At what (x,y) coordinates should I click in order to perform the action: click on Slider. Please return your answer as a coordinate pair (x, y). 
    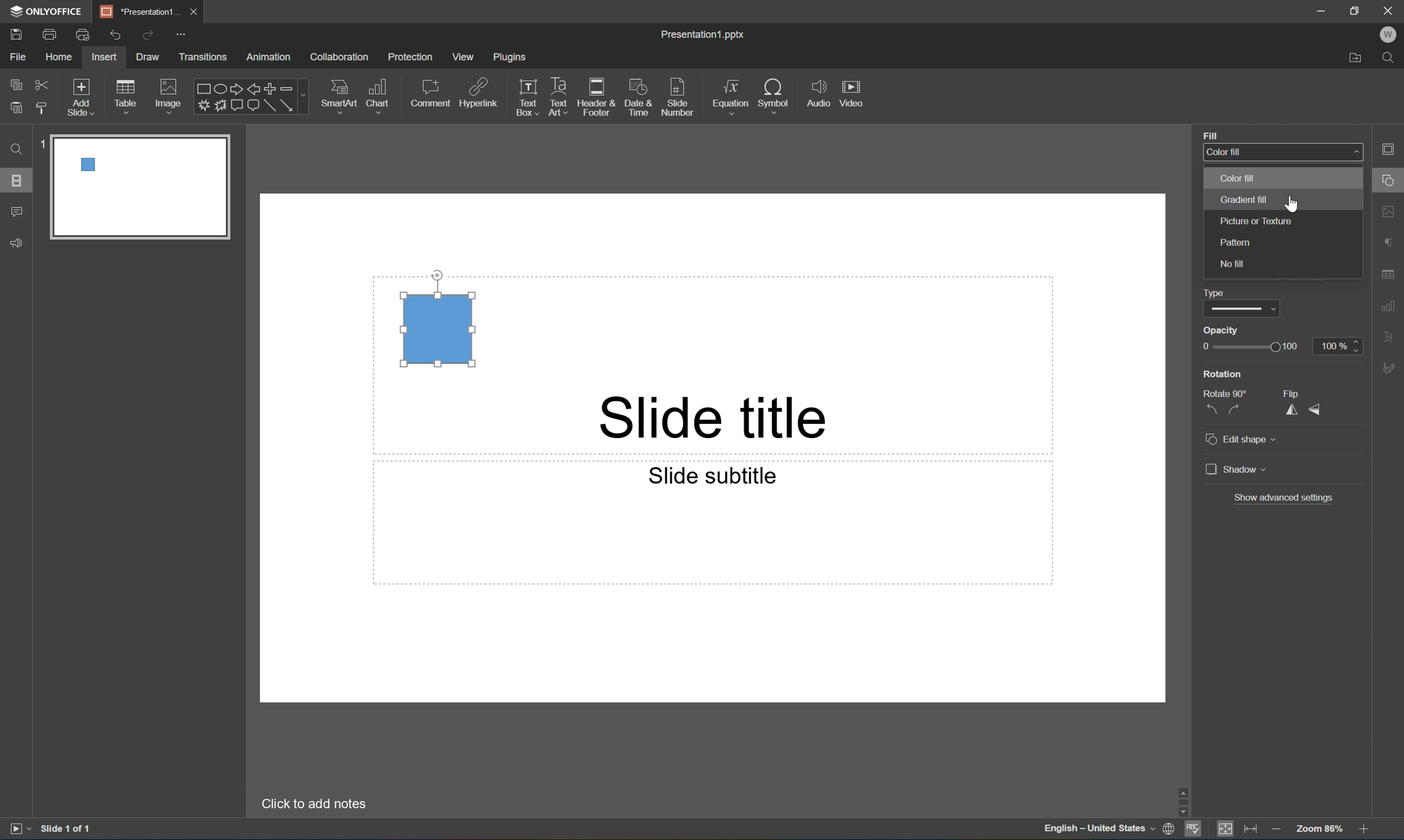
    Looking at the image, I should click on (1248, 347).